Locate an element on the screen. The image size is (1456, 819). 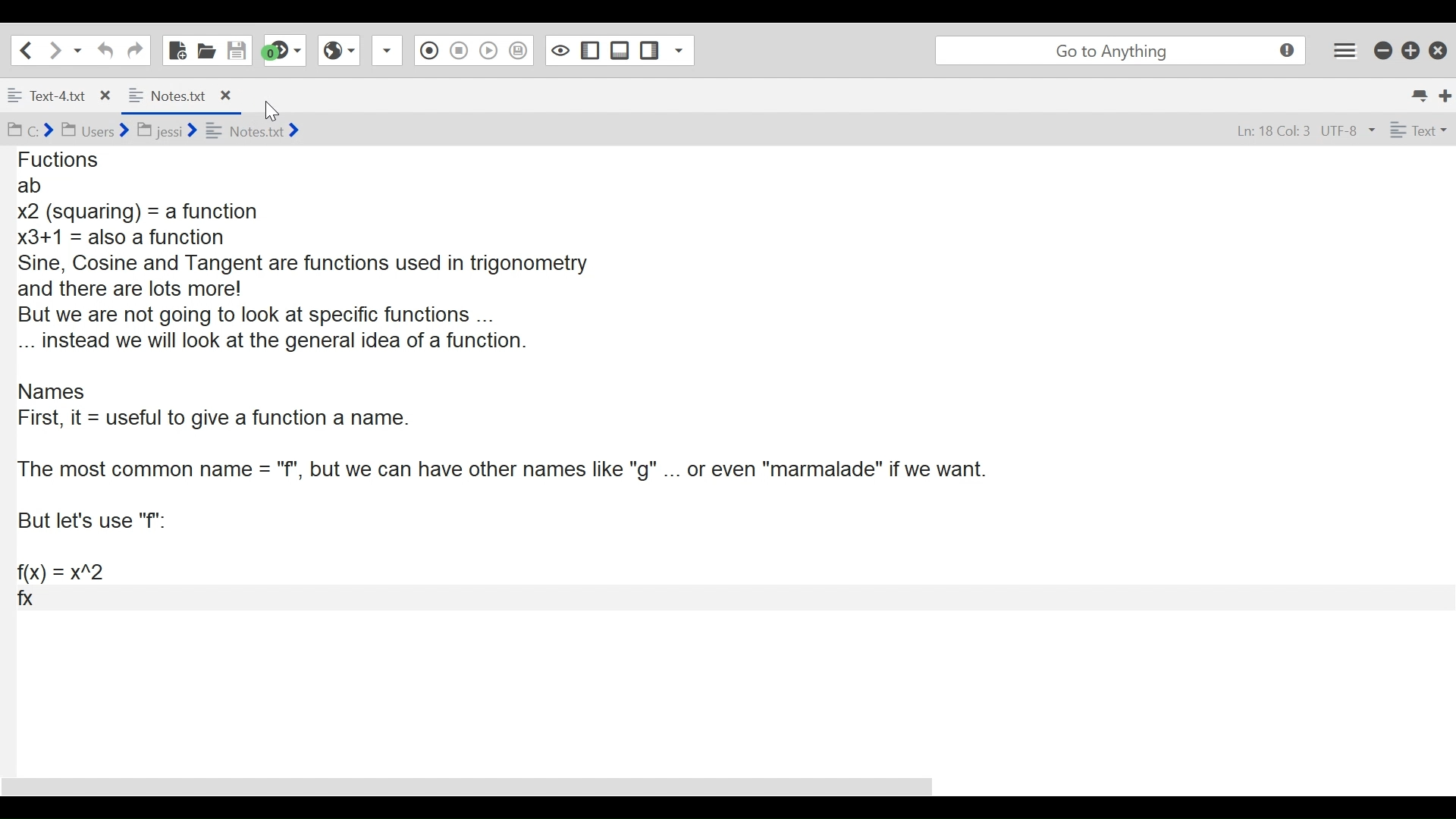
Recent LOcations is located at coordinates (78, 49).